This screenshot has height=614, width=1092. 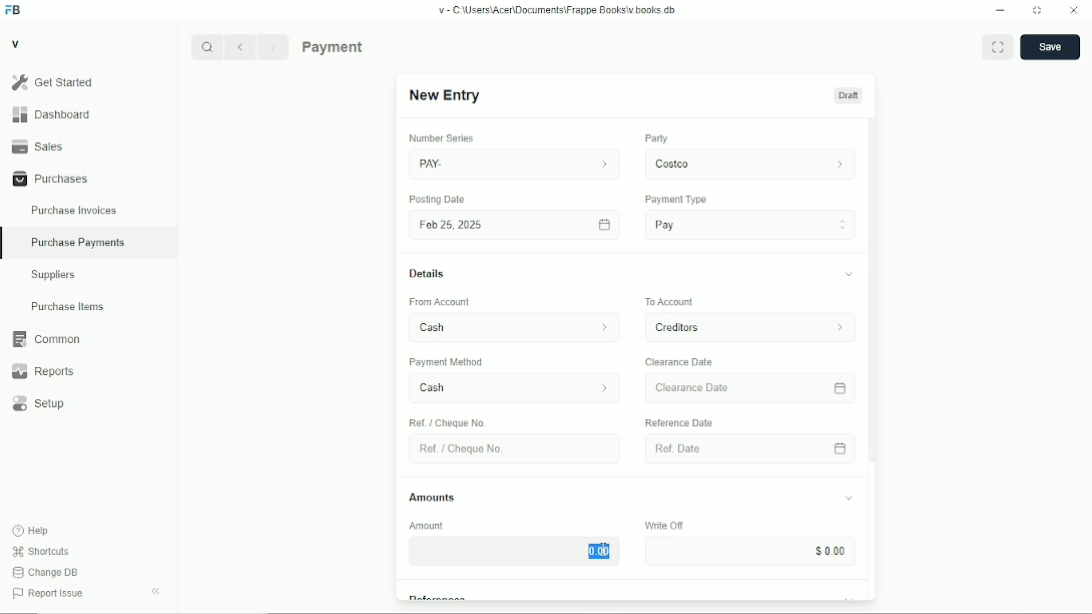 I want to click on save, so click(x=1050, y=47).